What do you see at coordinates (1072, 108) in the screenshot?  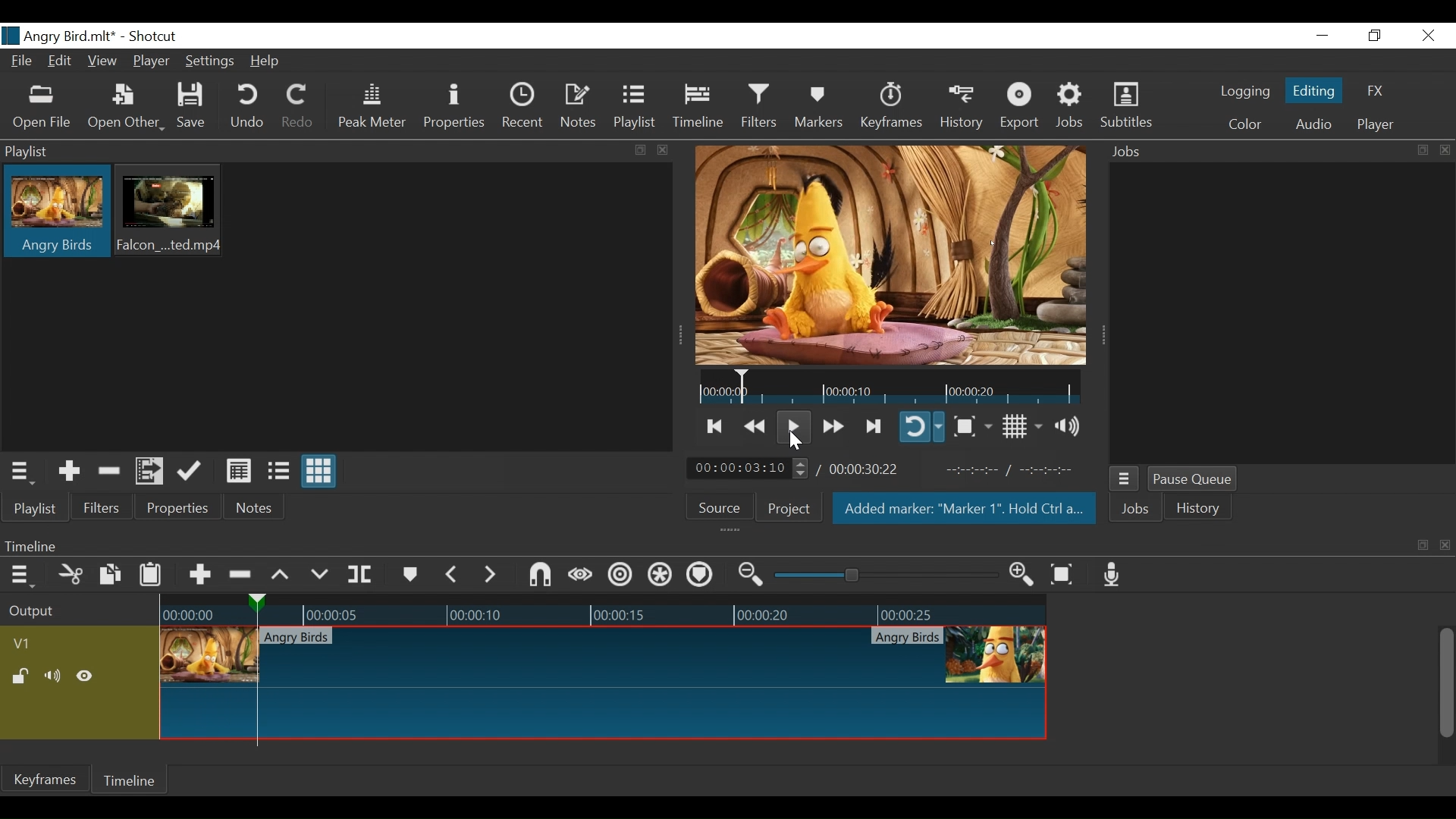 I see `Jobs` at bounding box center [1072, 108].